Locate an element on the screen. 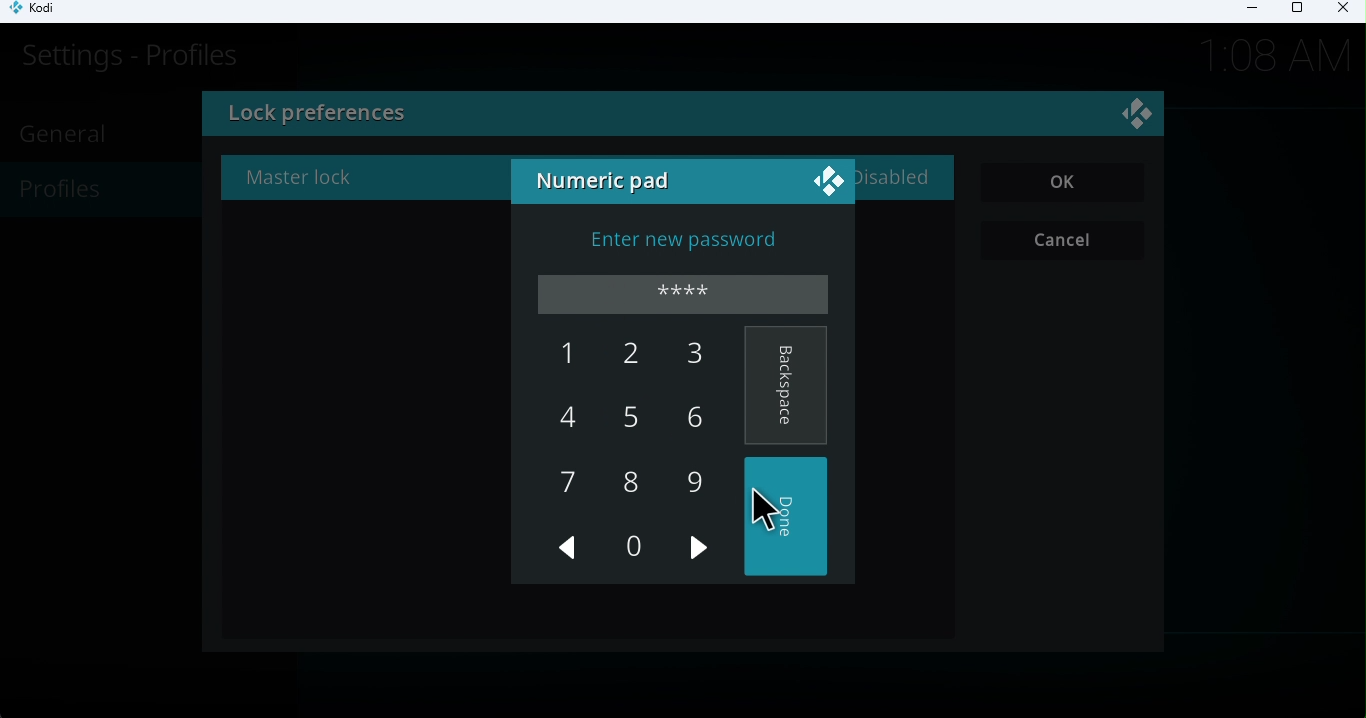 Image resolution: width=1366 pixels, height=718 pixels. 7 is located at coordinates (569, 486).